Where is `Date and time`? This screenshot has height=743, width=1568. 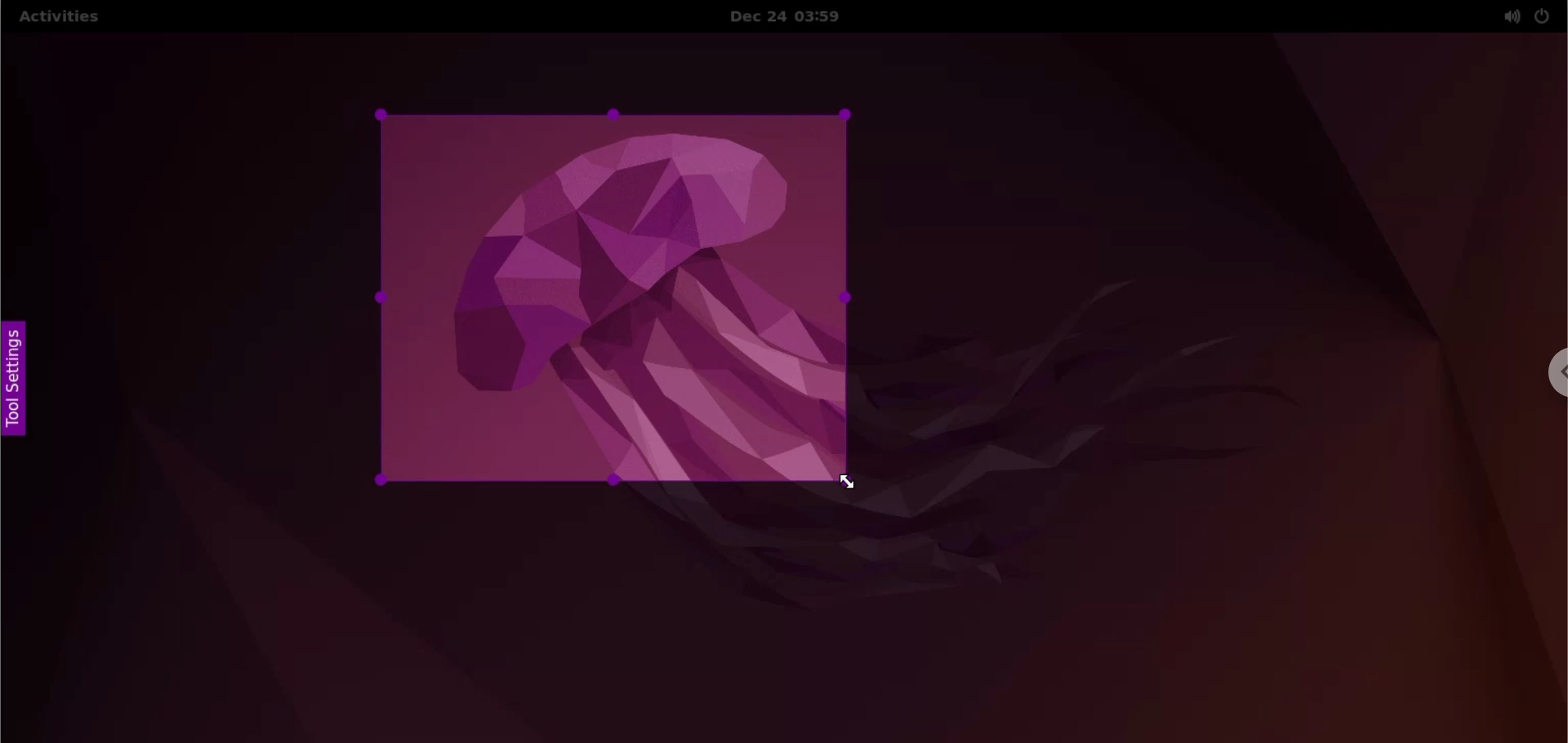 Date and time is located at coordinates (797, 17).